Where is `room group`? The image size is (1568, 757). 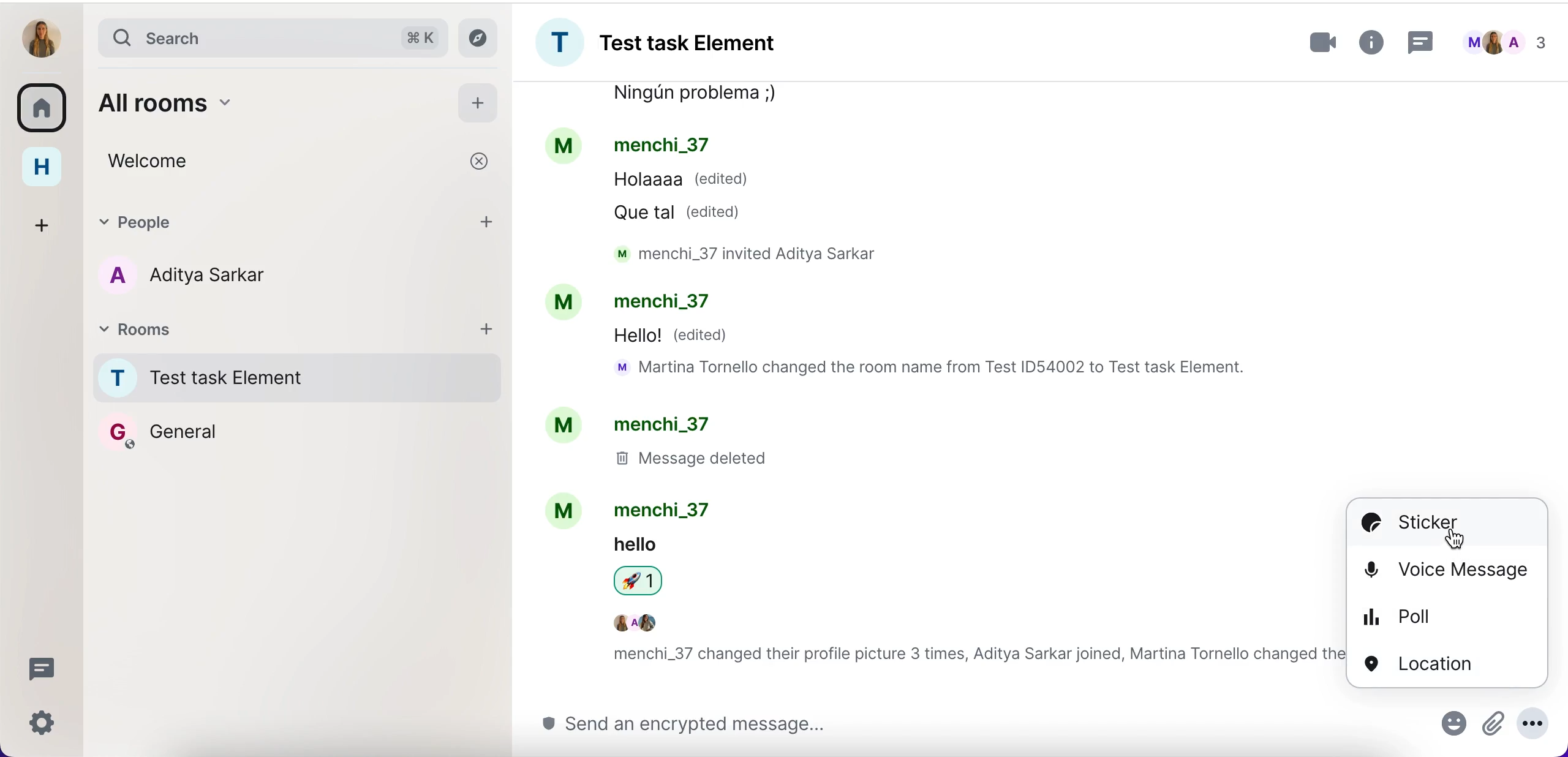
room group is located at coordinates (697, 43).